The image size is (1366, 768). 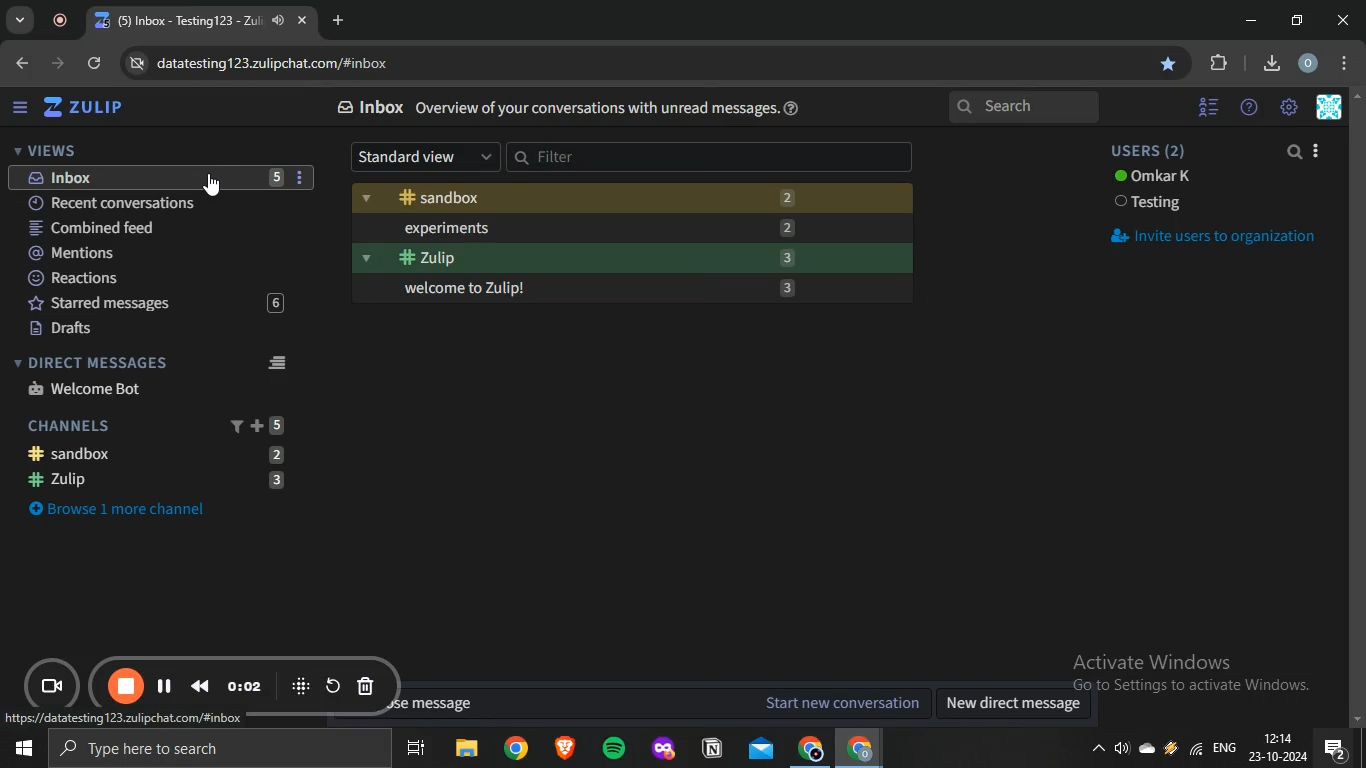 What do you see at coordinates (636, 290) in the screenshot?
I see `welcome to zulip!` at bounding box center [636, 290].